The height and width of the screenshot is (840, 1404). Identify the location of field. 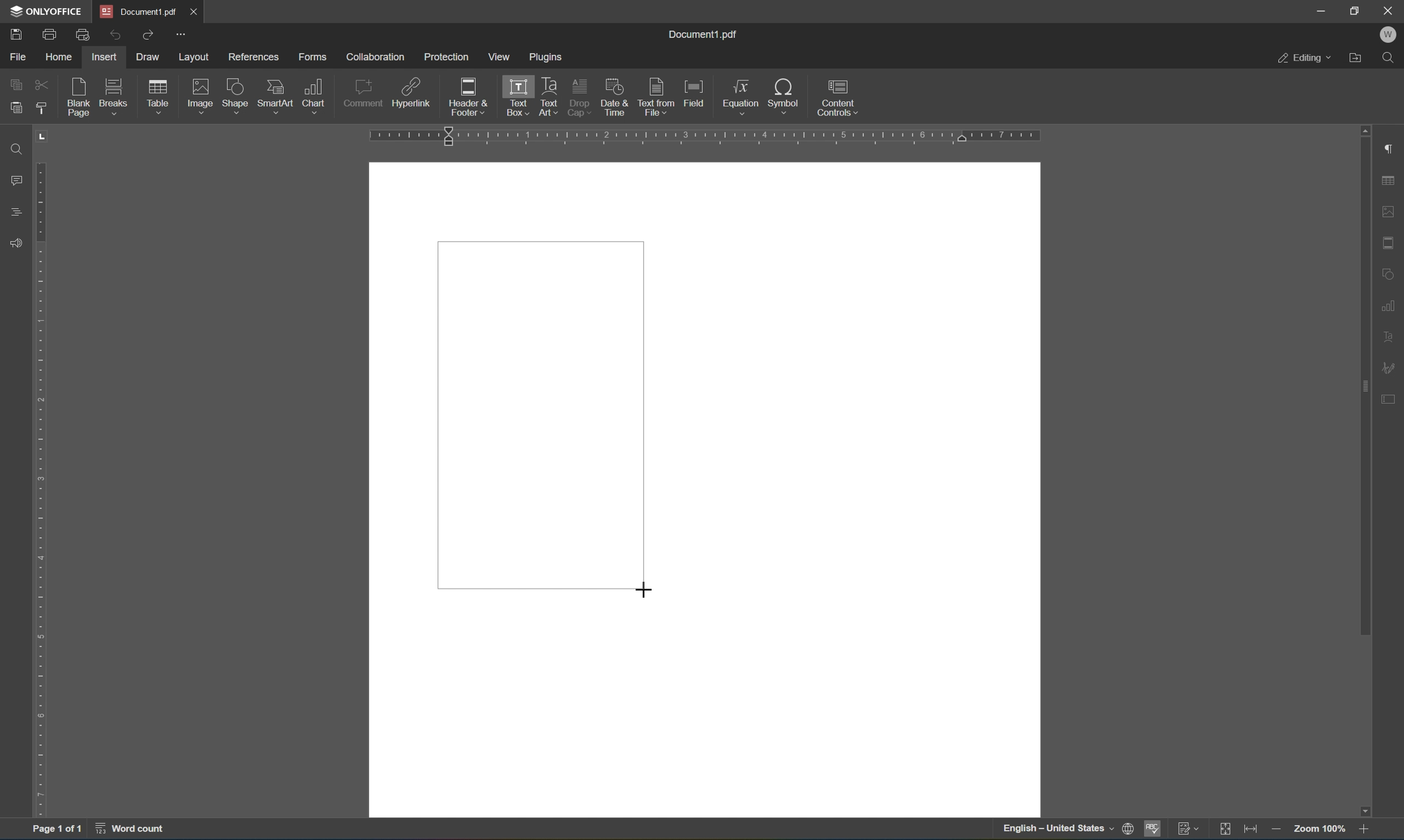
(695, 93).